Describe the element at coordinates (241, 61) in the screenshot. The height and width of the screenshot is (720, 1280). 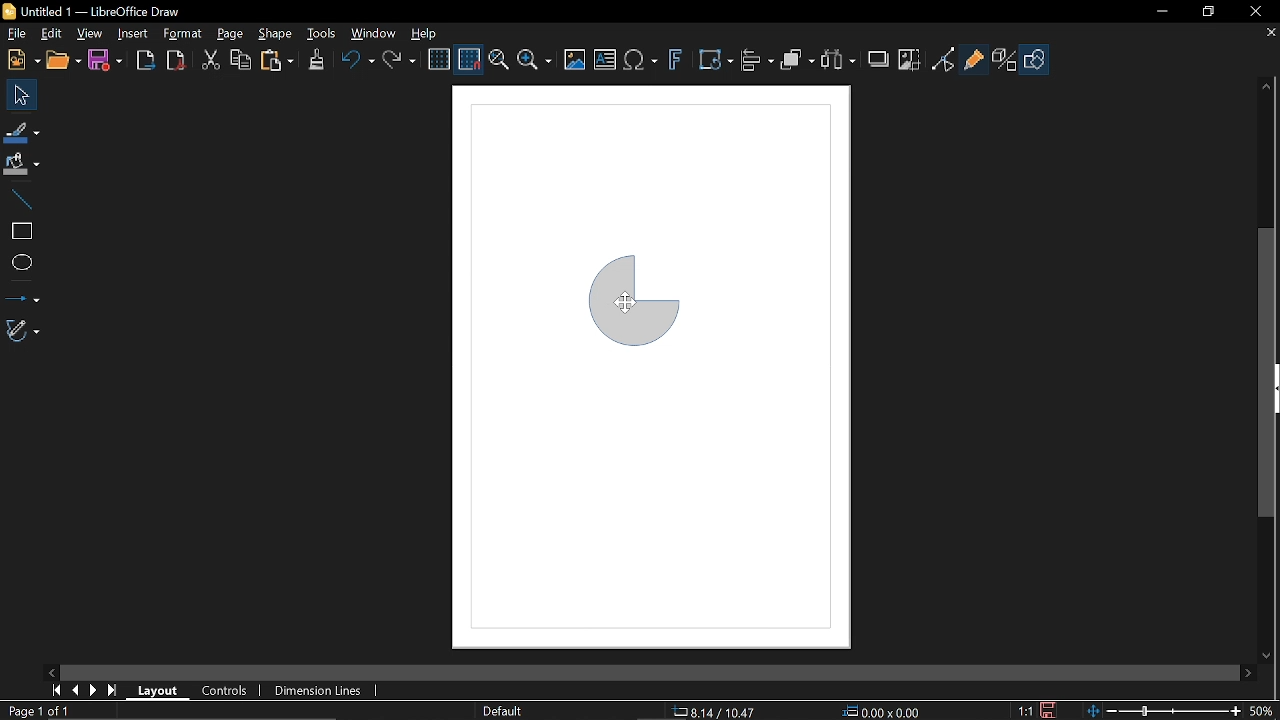
I see `Copy` at that location.